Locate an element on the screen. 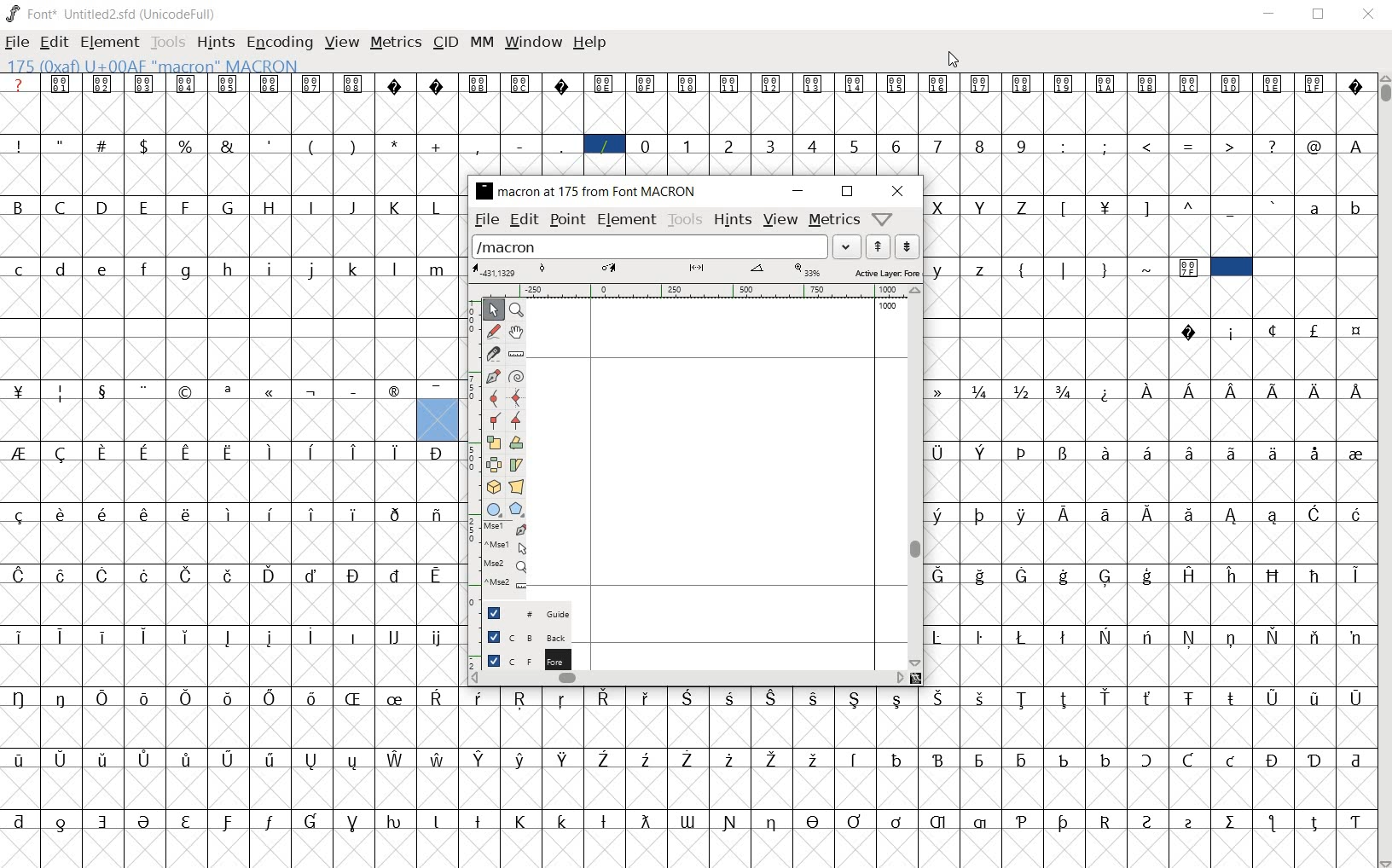  Symbol is located at coordinates (1106, 758).